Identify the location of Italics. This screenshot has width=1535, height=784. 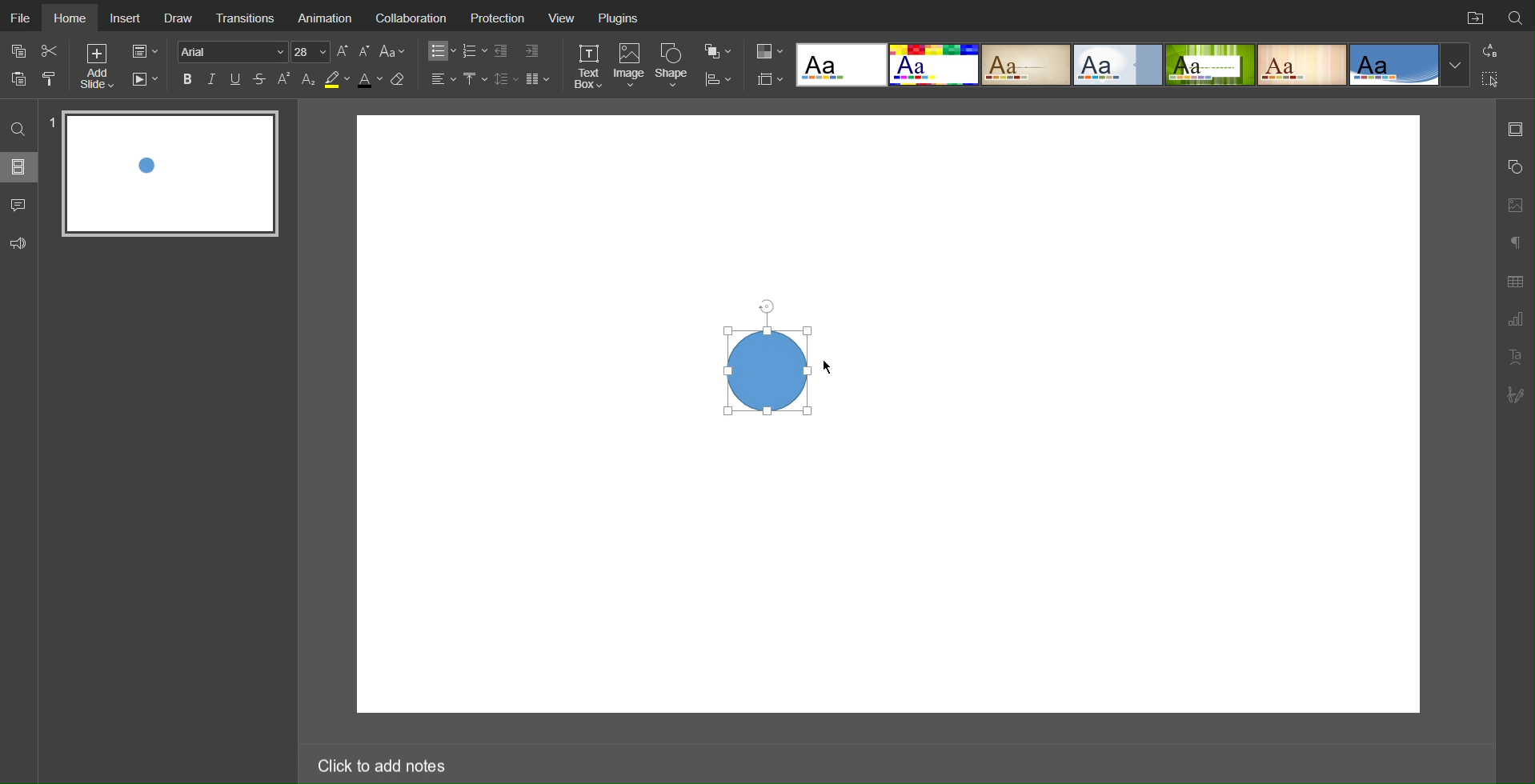
(212, 79).